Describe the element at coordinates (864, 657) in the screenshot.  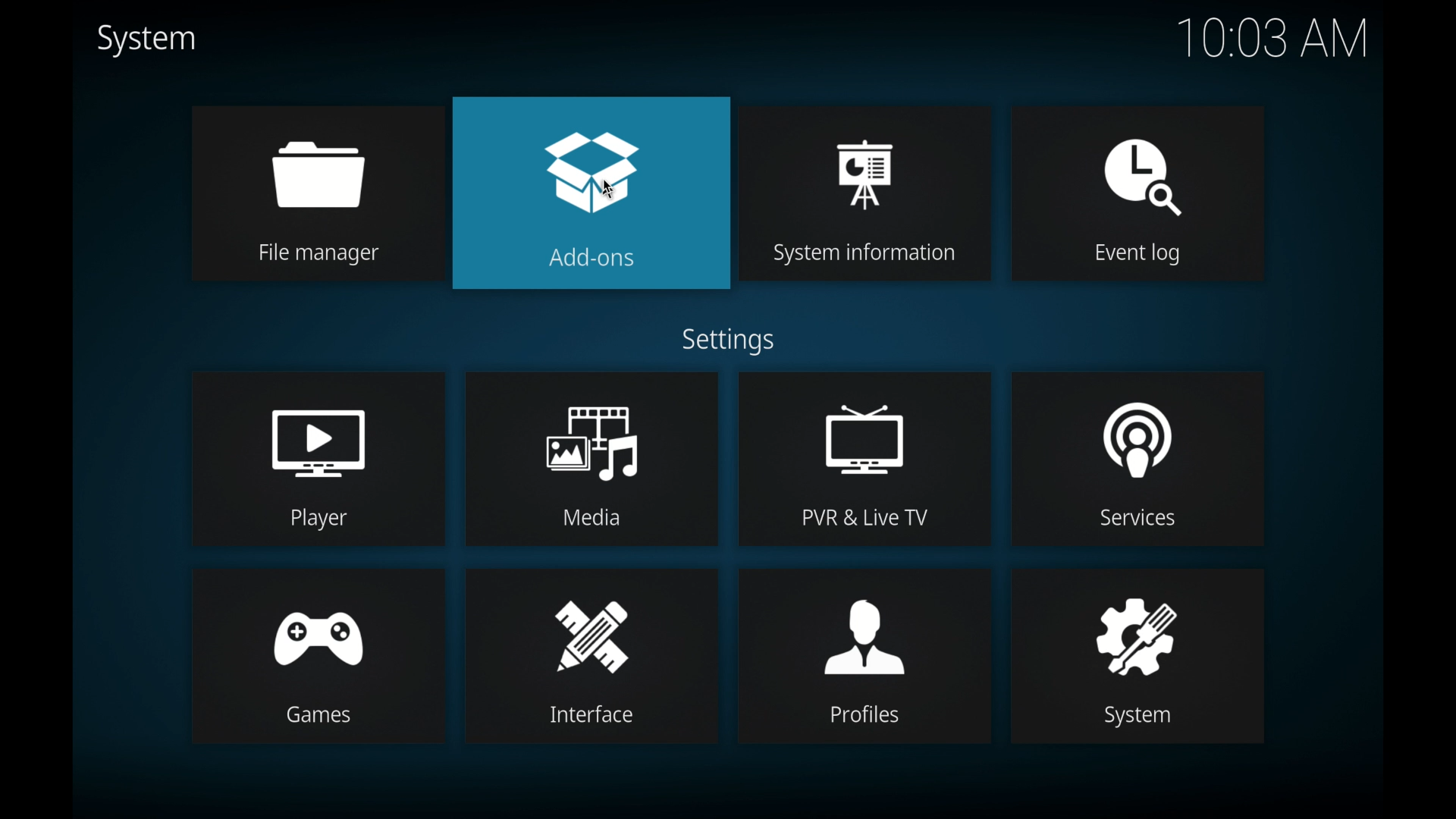
I see `profiles` at that location.